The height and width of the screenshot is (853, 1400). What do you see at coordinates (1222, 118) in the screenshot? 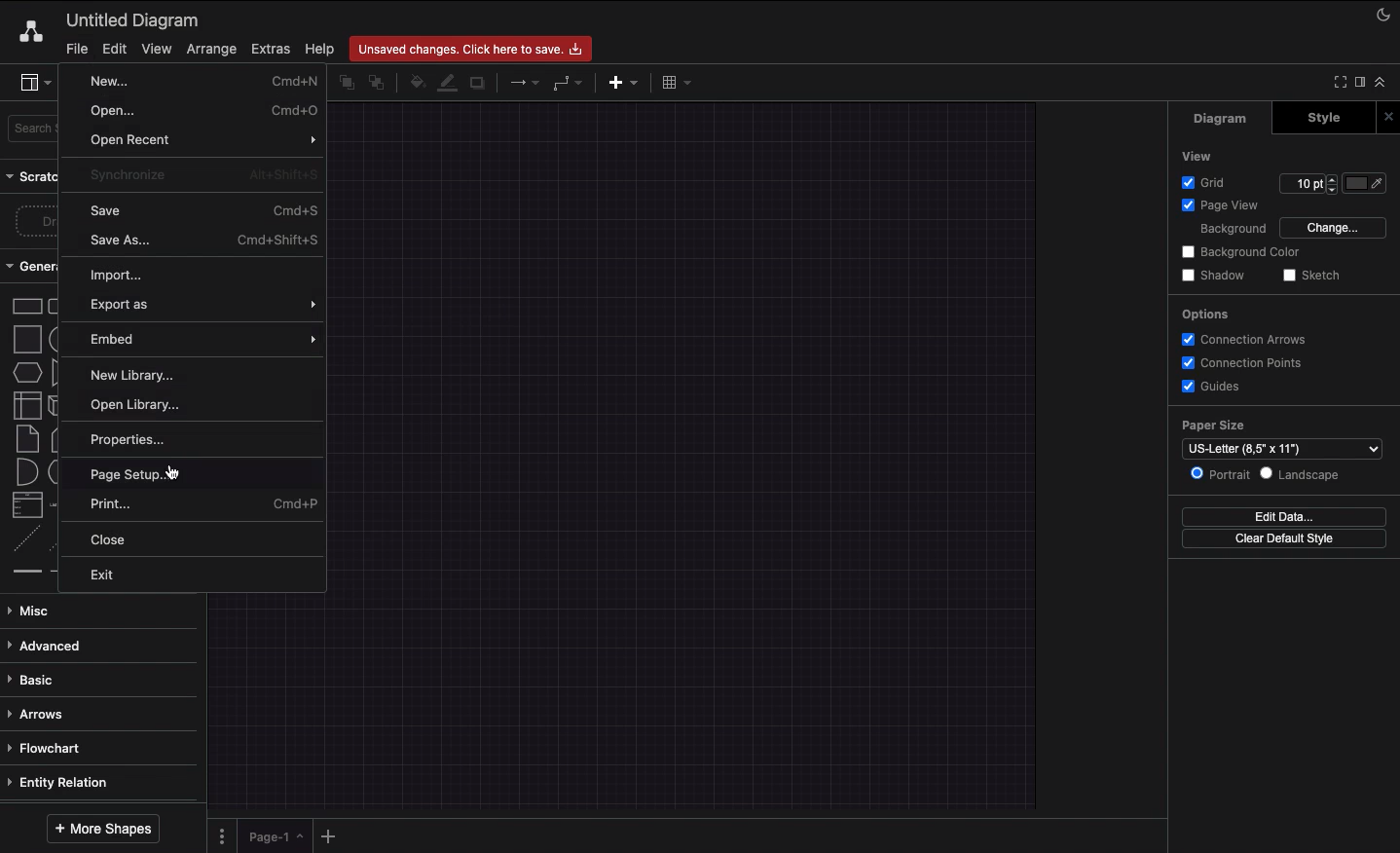
I see `Diagram` at bounding box center [1222, 118].